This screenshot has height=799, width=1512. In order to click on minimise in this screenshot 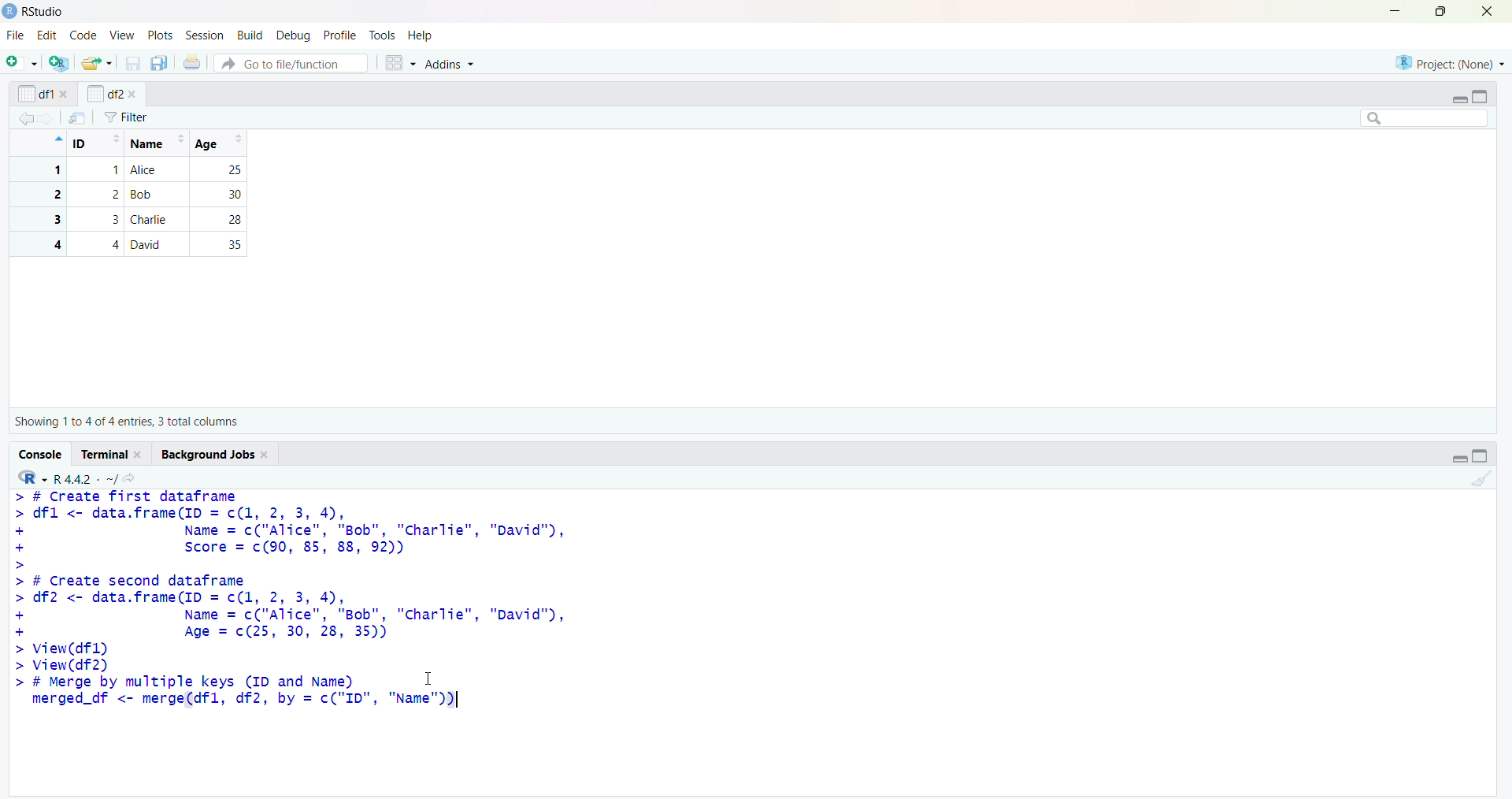, I will do `click(1395, 10)`.